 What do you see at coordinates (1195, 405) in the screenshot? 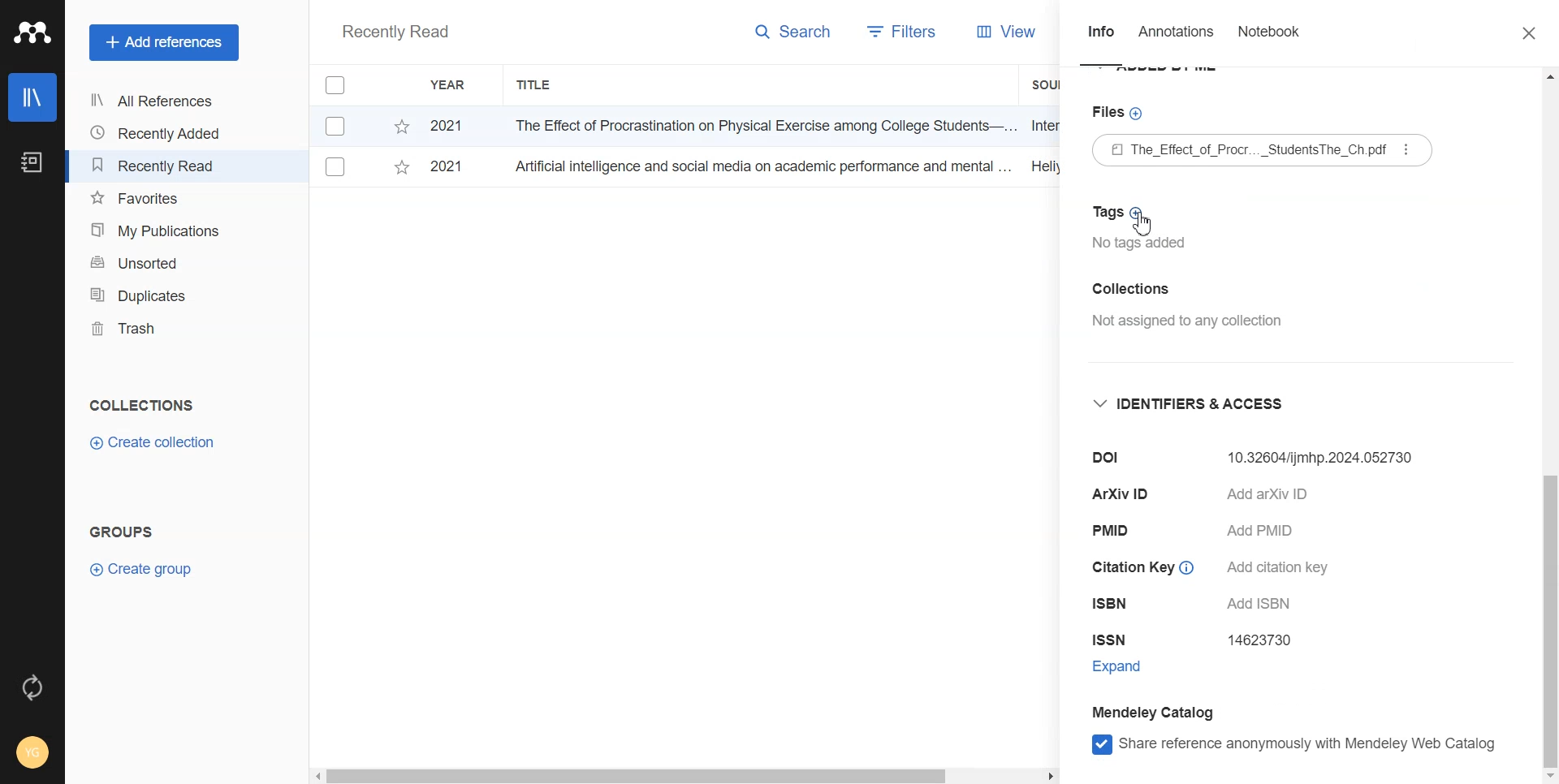
I see `Identifier & Access` at bounding box center [1195, 405].